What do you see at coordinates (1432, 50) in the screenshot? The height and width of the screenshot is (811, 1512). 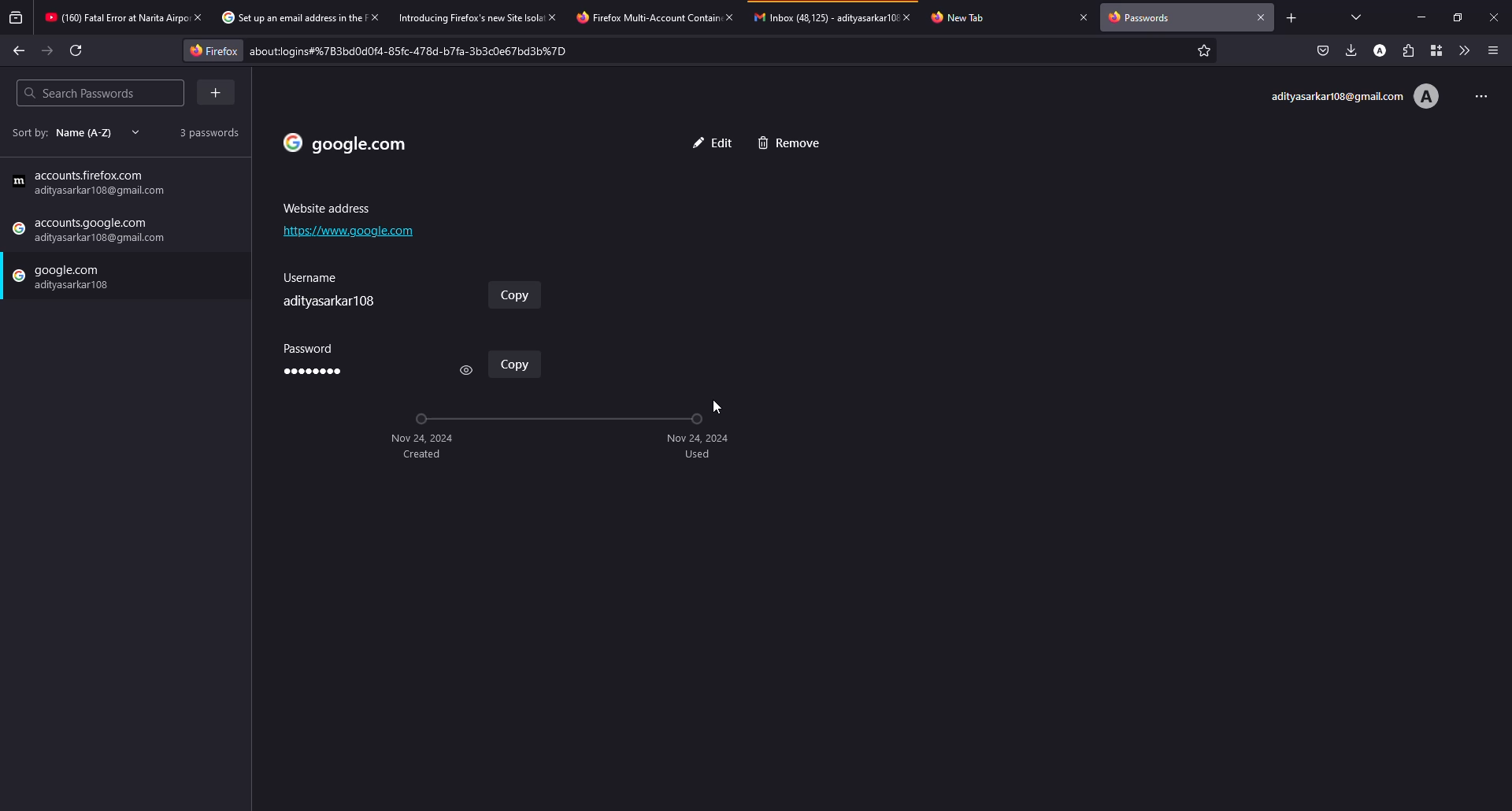 I see `container` at bounding box center [1432, 50].